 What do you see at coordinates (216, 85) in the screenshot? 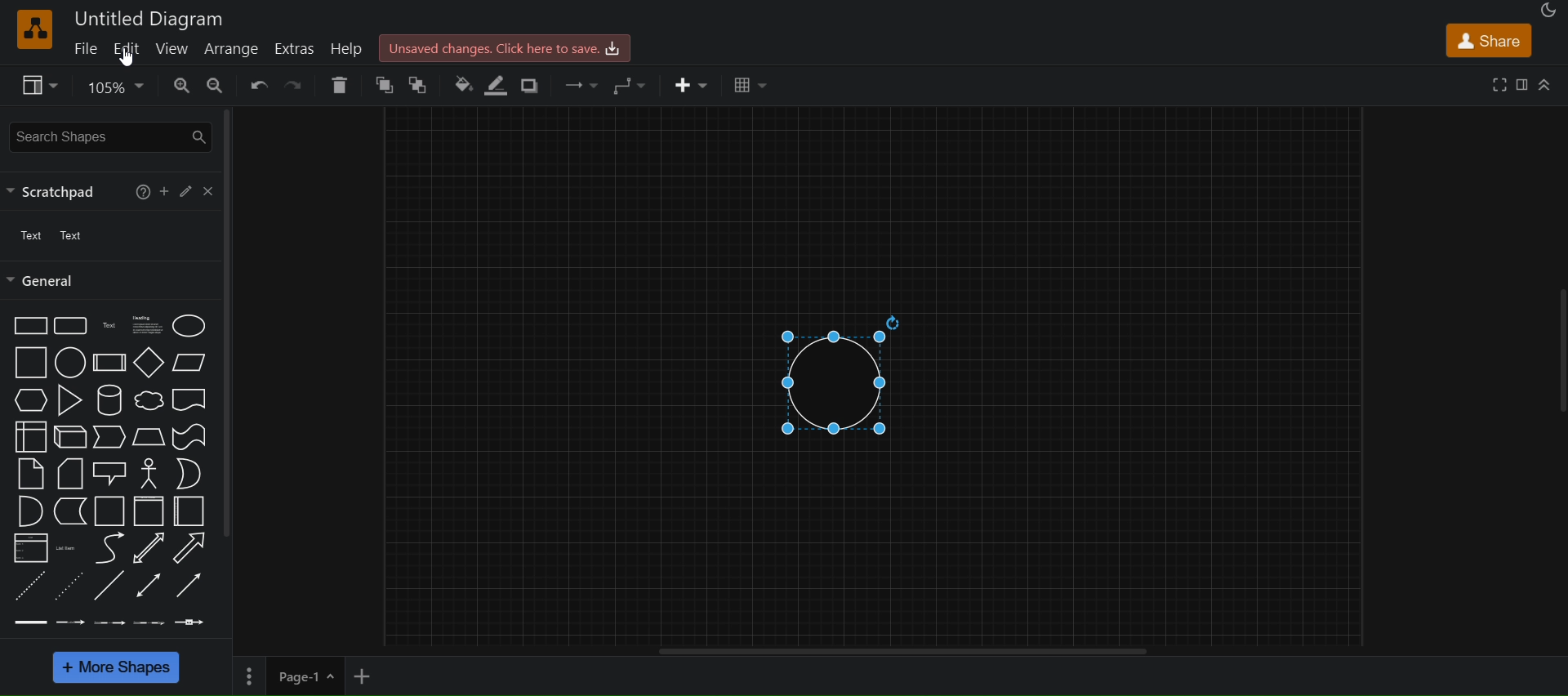
I see `zoom out` at bounding box center [216, 85].